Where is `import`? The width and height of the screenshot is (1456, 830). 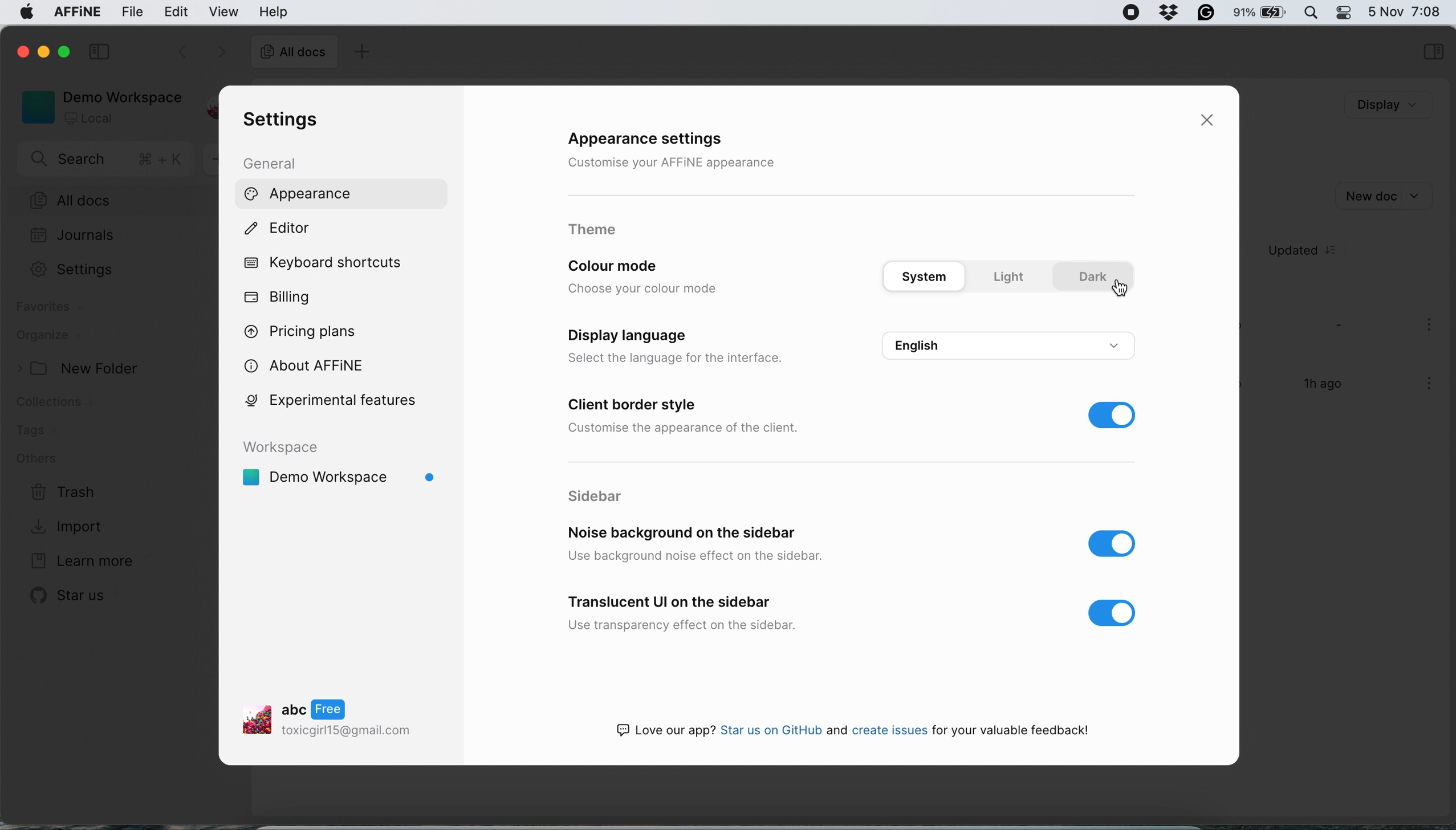
import is located at coordinates (76, 528).